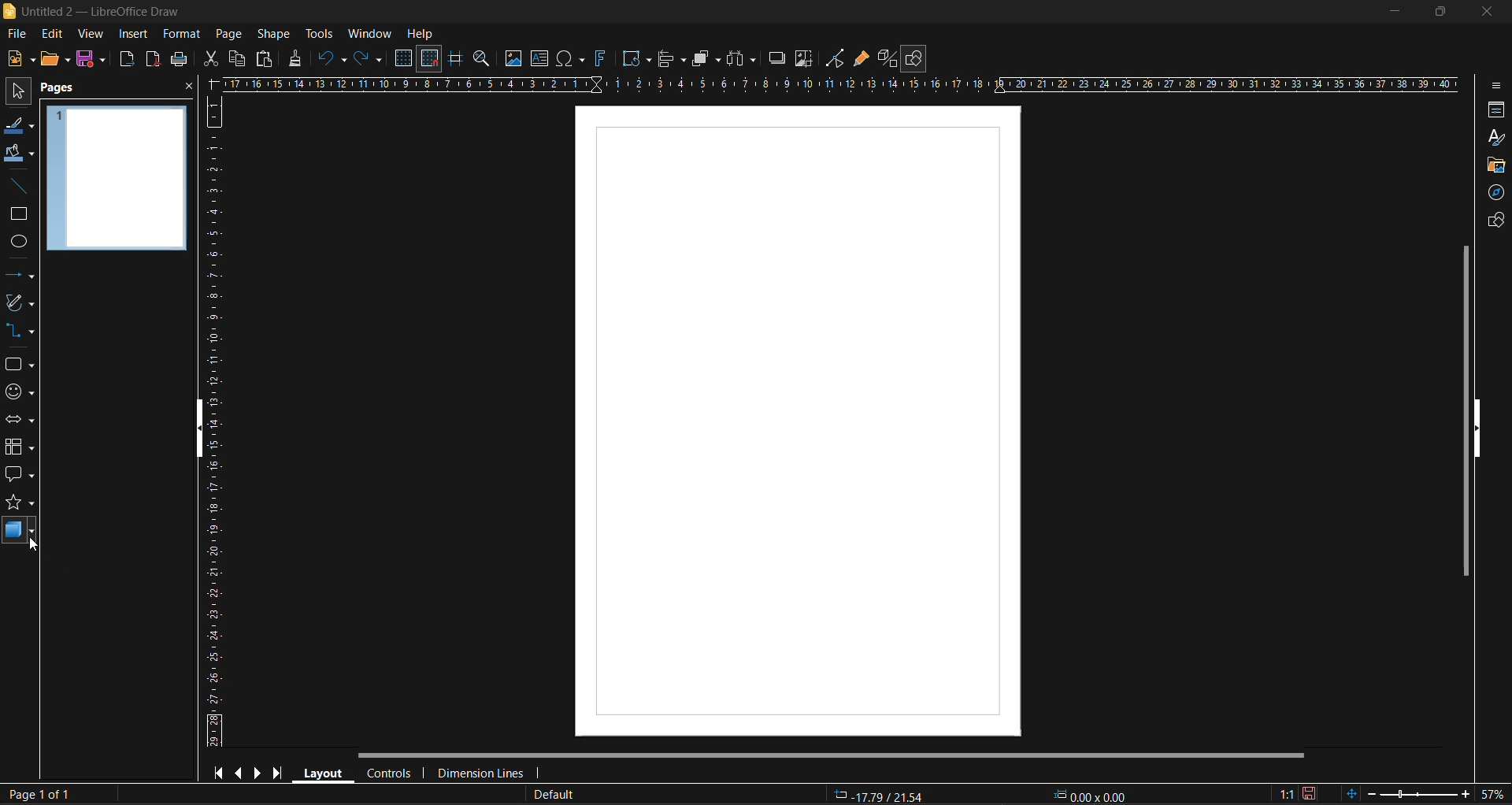 This screenshot has height=805, width=1512. What do you see at coordinates (333, 59) in the screenshot?
I see `undo` at bounding box center [333, 59].